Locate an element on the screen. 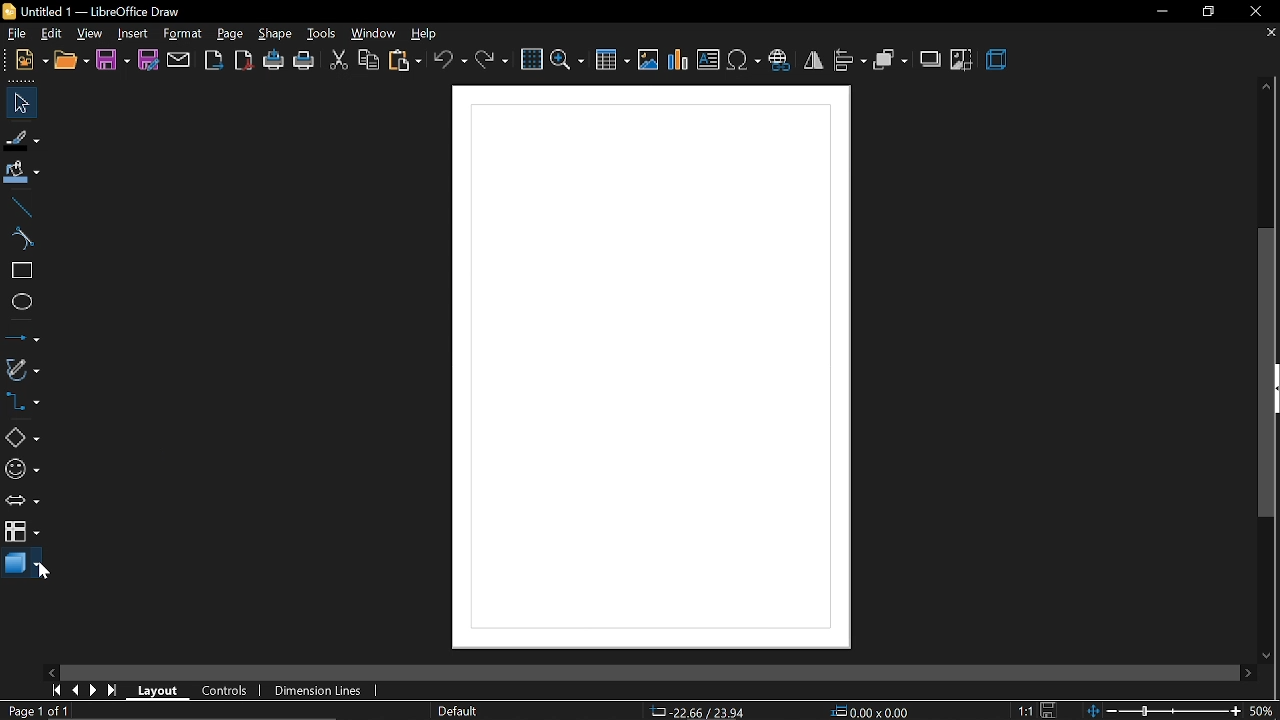  align is located at coordinates (850, 59).